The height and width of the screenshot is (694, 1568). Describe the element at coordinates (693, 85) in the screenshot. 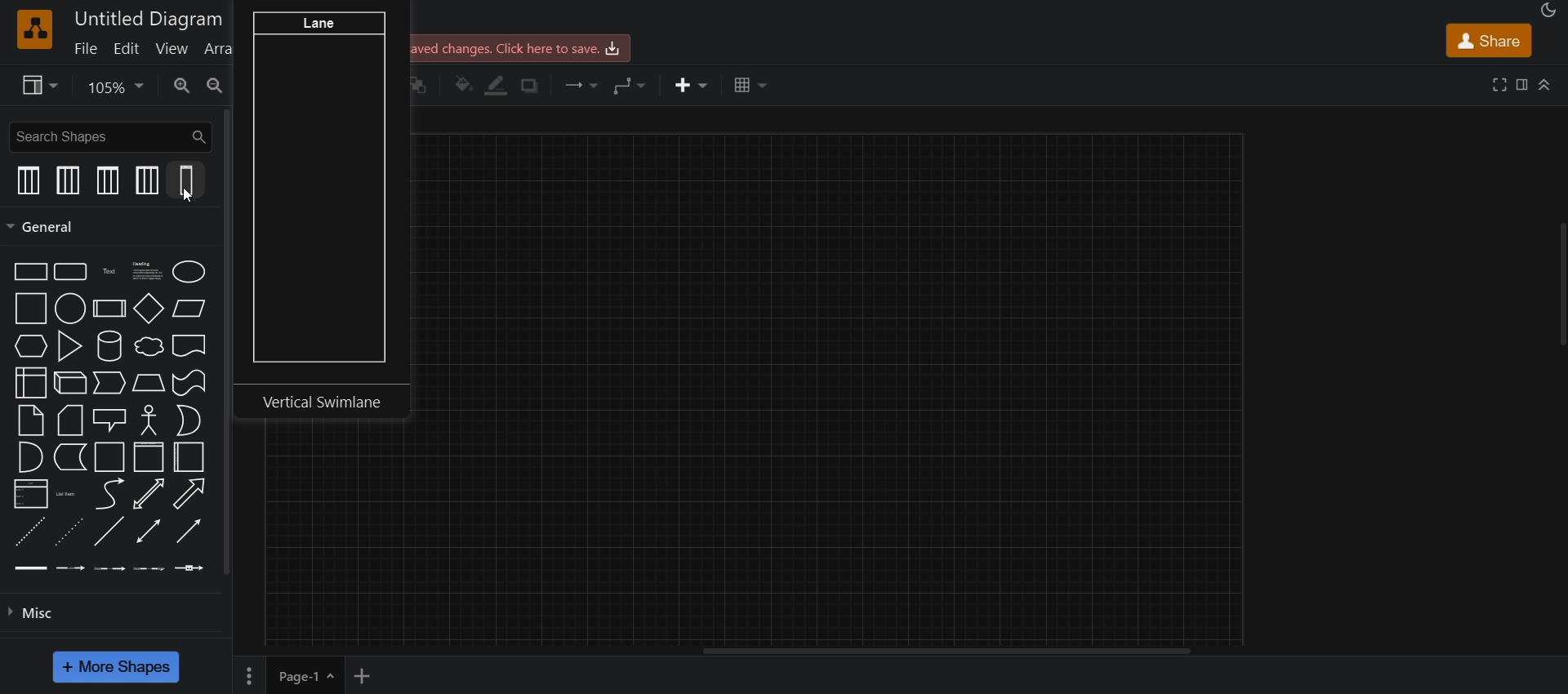

I see `insert` at that location.